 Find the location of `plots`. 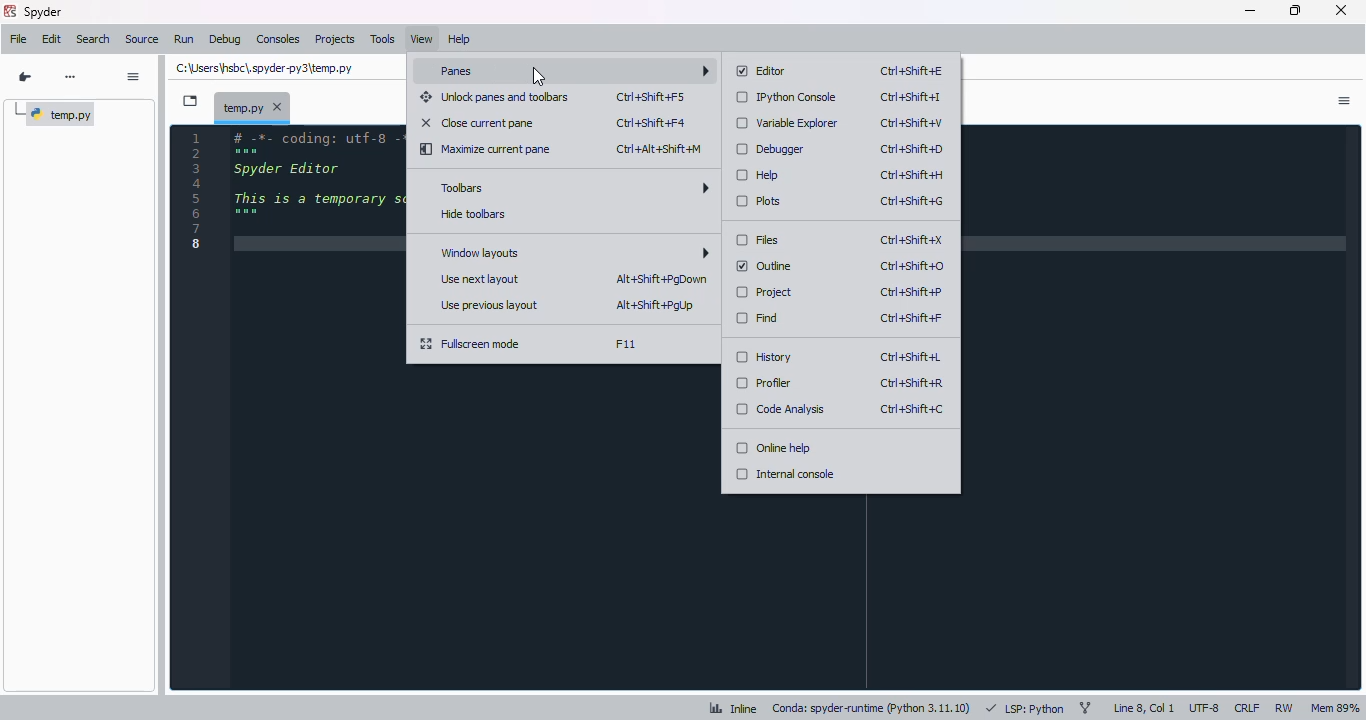

plots is located at coordinates (760, 201).